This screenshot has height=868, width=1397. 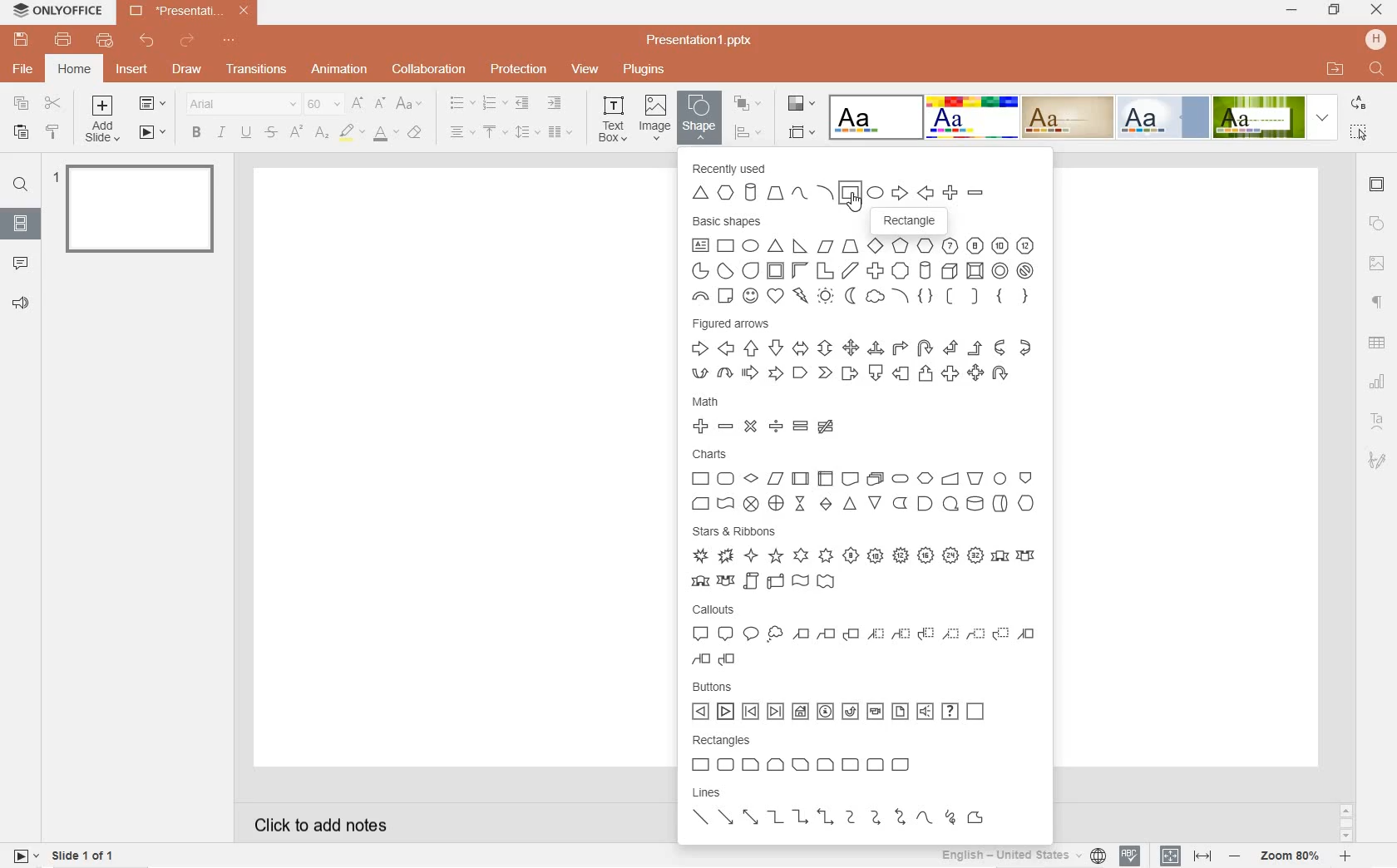 What do you see at coordinates (776, 427) in the screenshot?
I see `Divide` at bounding box center [776, 427].